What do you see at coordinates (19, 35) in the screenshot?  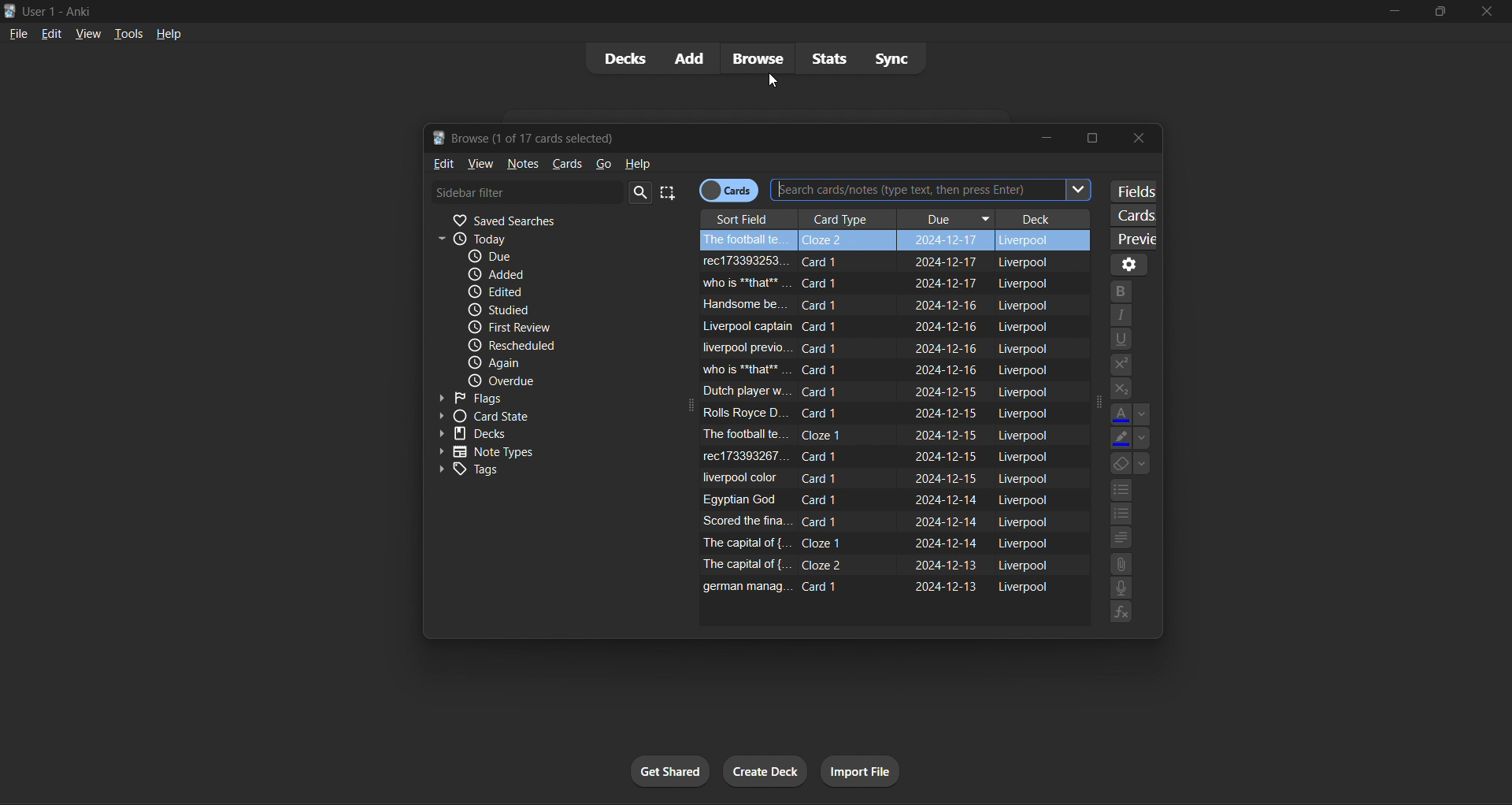 I see `file` at bounding box center [19, 35].